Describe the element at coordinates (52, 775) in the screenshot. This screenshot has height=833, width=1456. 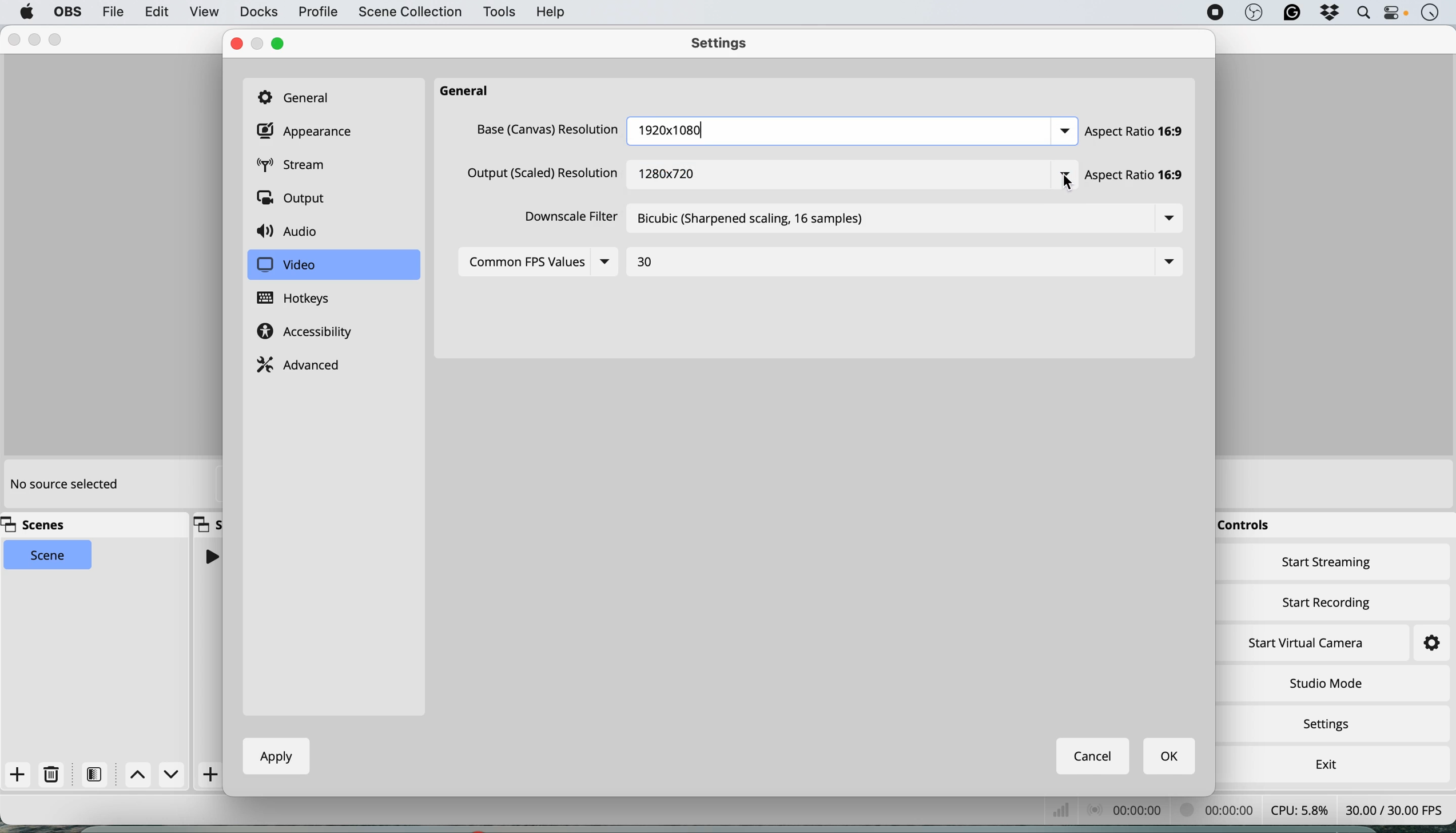
I see `delete scene` at that location.